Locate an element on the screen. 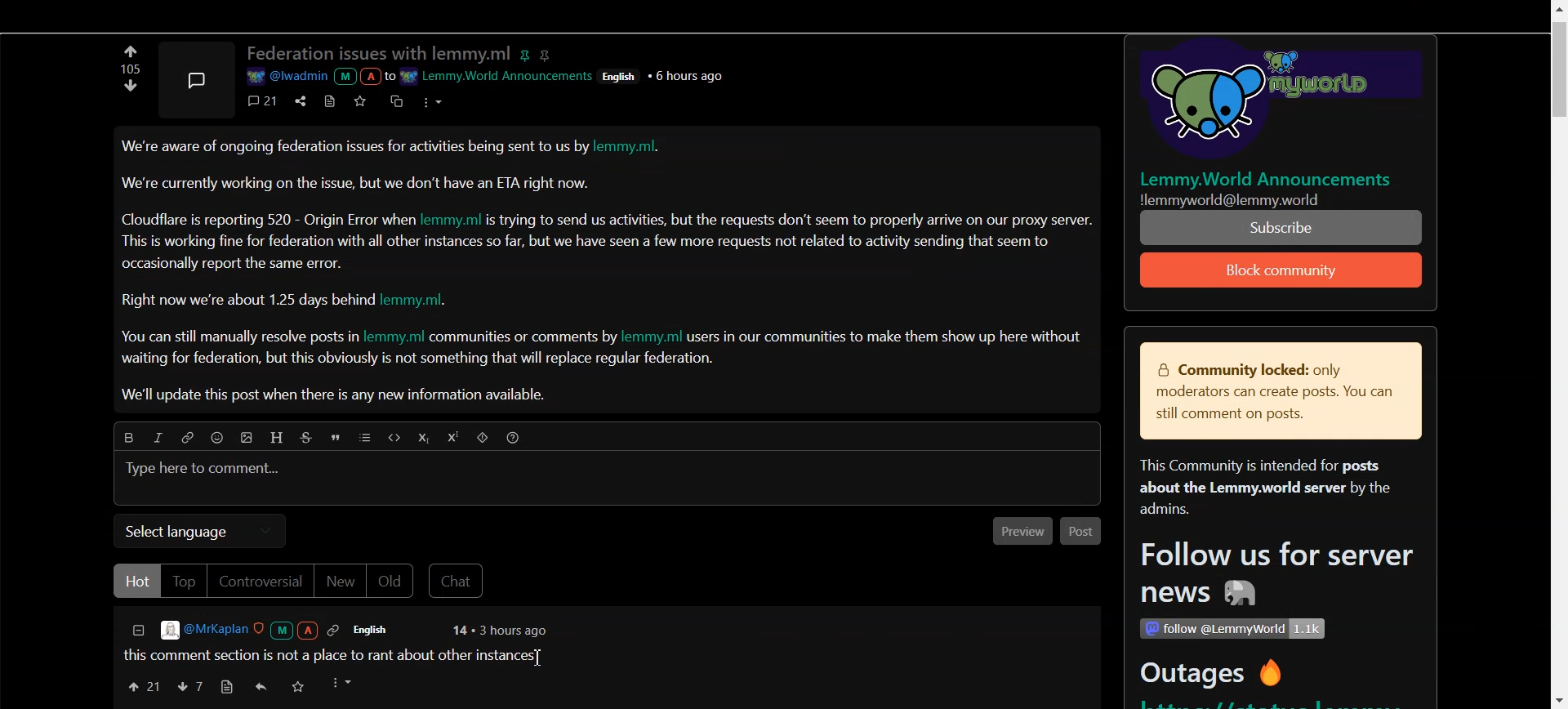 This screenshot has height=709, width=1568. | Lemmy.World Announcements is located at coordinates (1273, 179).